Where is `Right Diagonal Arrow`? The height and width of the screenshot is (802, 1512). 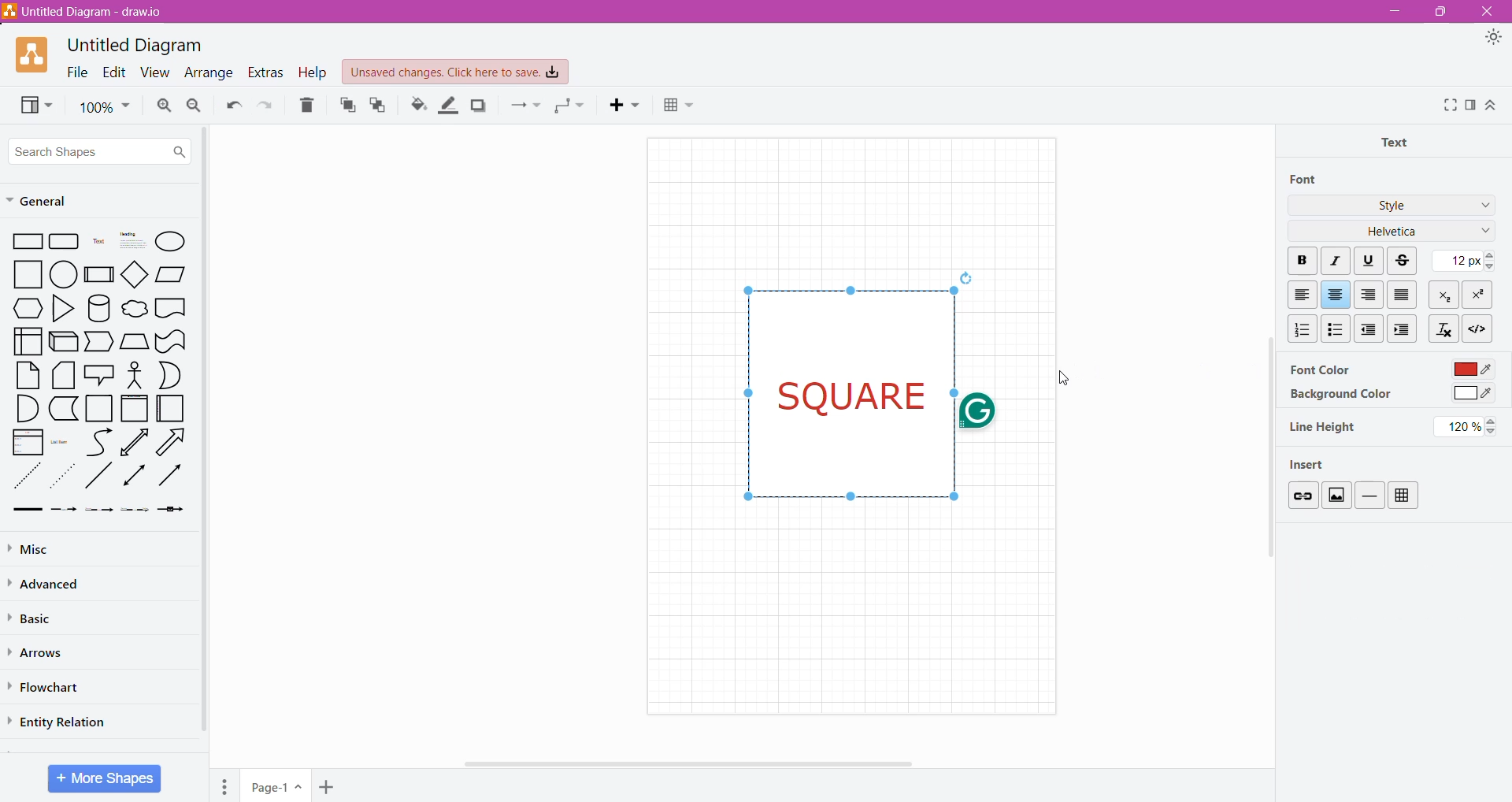 Right Diagonal Arrow is located at coordinates (173, 443).